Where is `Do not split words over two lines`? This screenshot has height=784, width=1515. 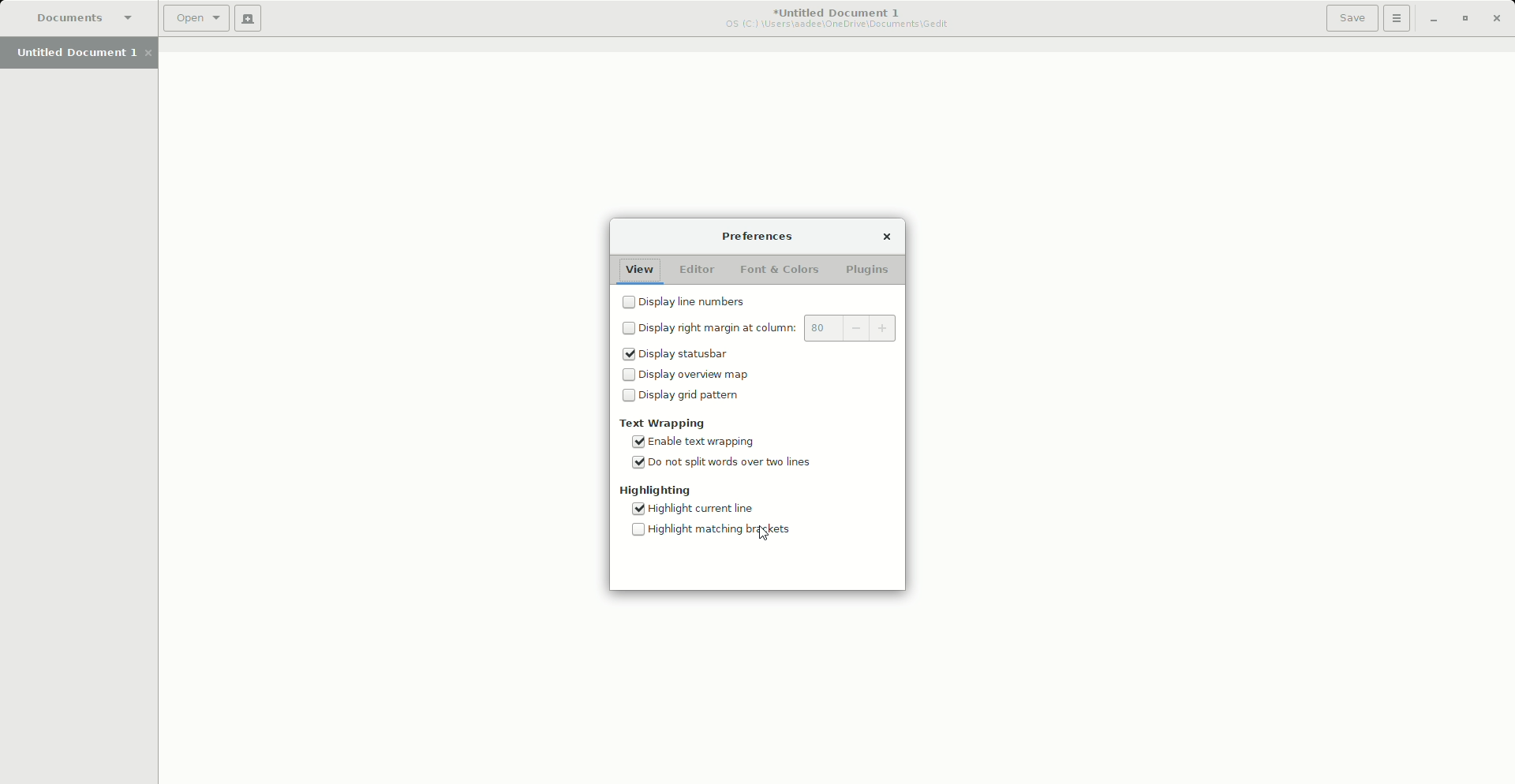 Do not split words over two lines is located at coordinates (724, 465).